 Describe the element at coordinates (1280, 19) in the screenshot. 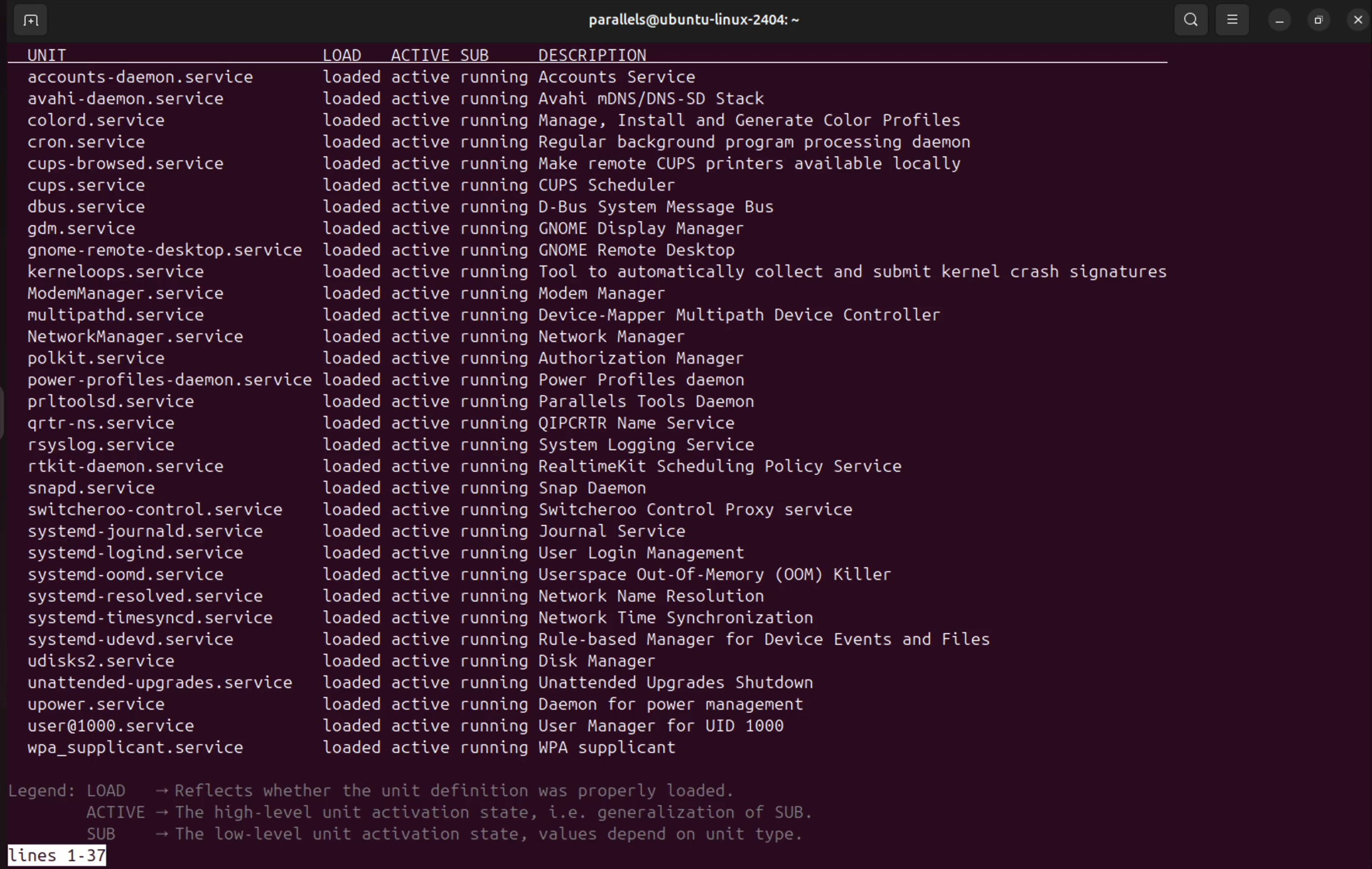

I see `minimize` at that location.